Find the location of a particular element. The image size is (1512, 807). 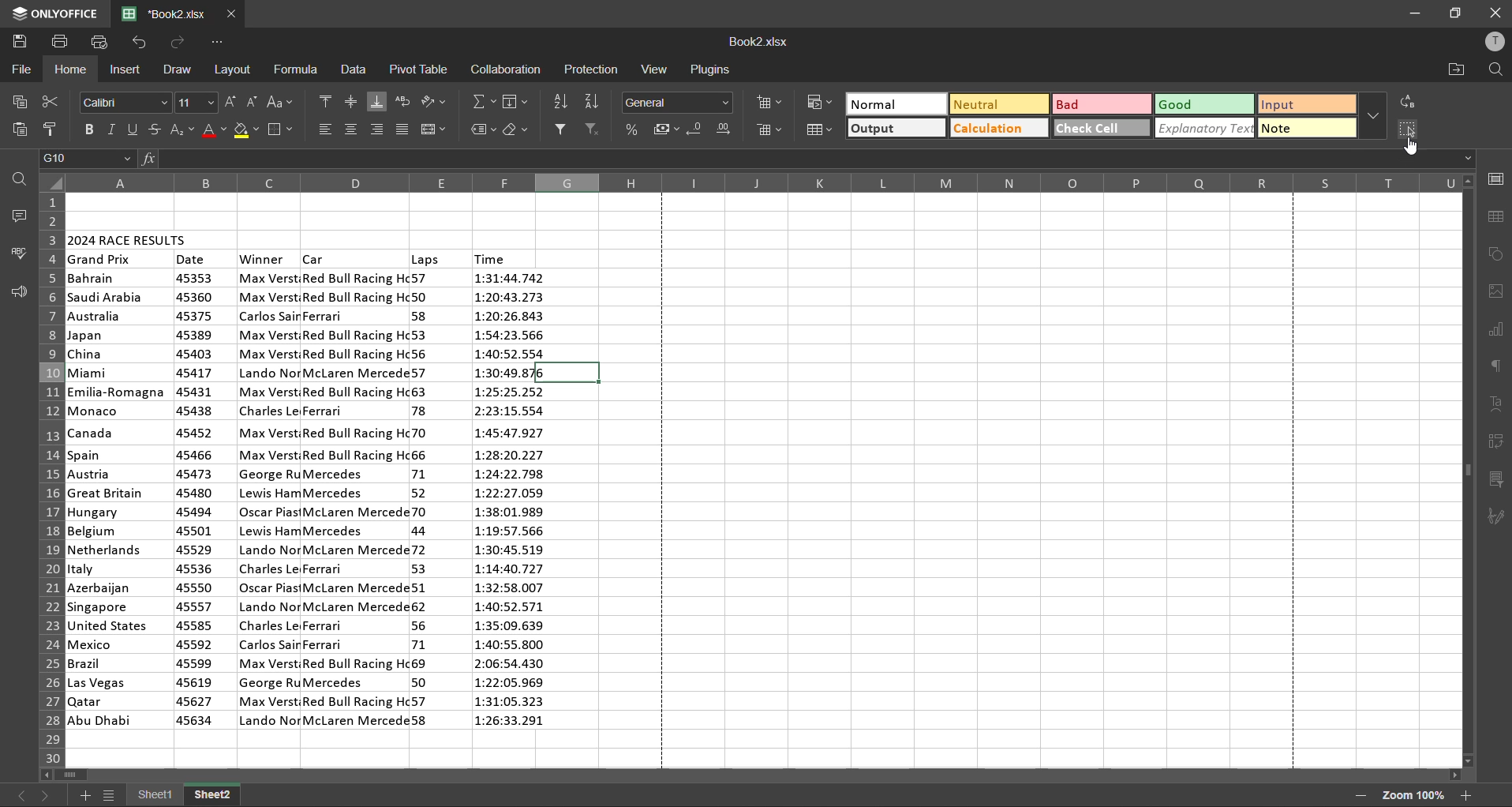

zoom out is located at coordinates (1363, 793).